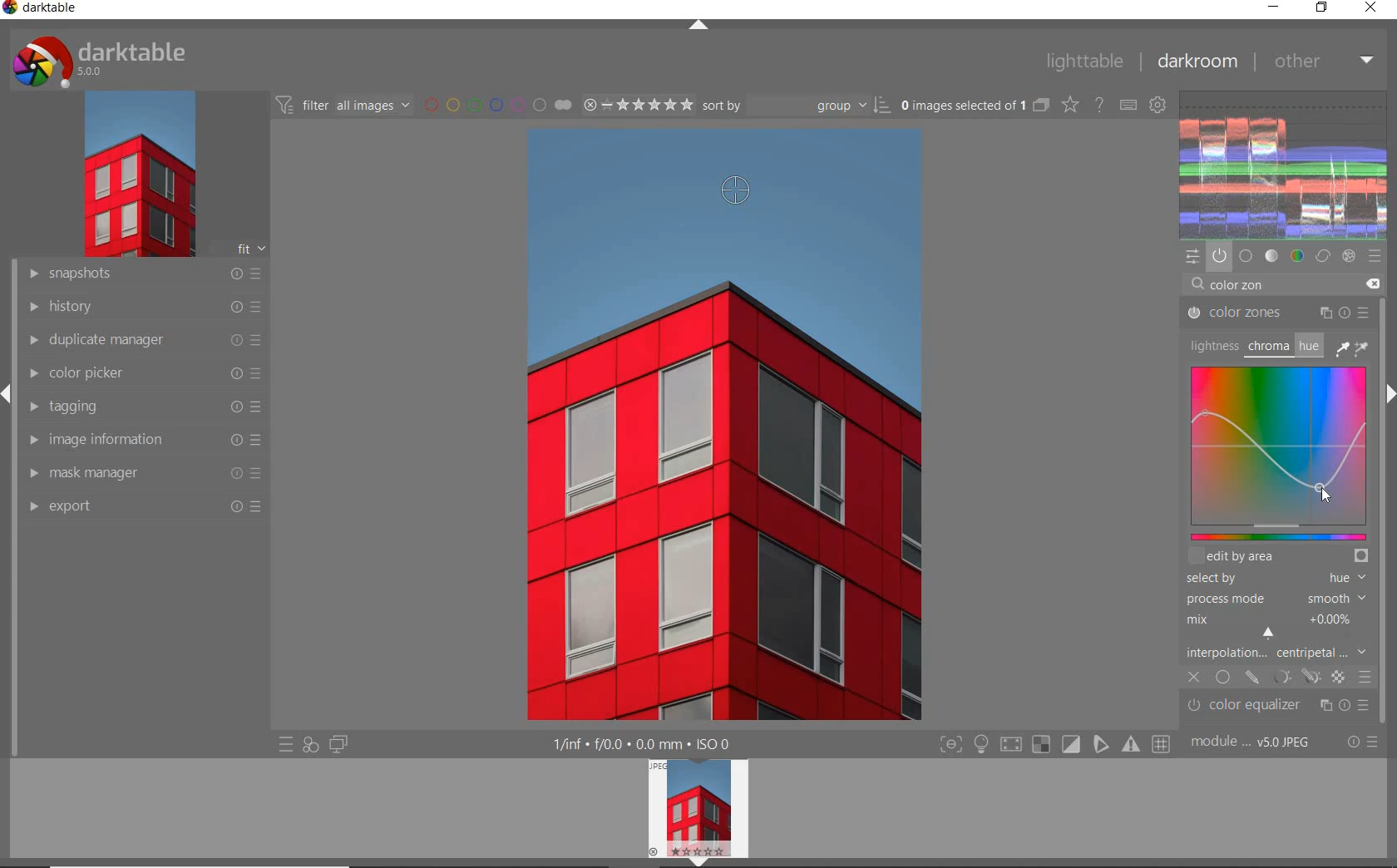  Describe the element at coordinates (1285, 163) in the screenshot. I see `waveform` at that location.